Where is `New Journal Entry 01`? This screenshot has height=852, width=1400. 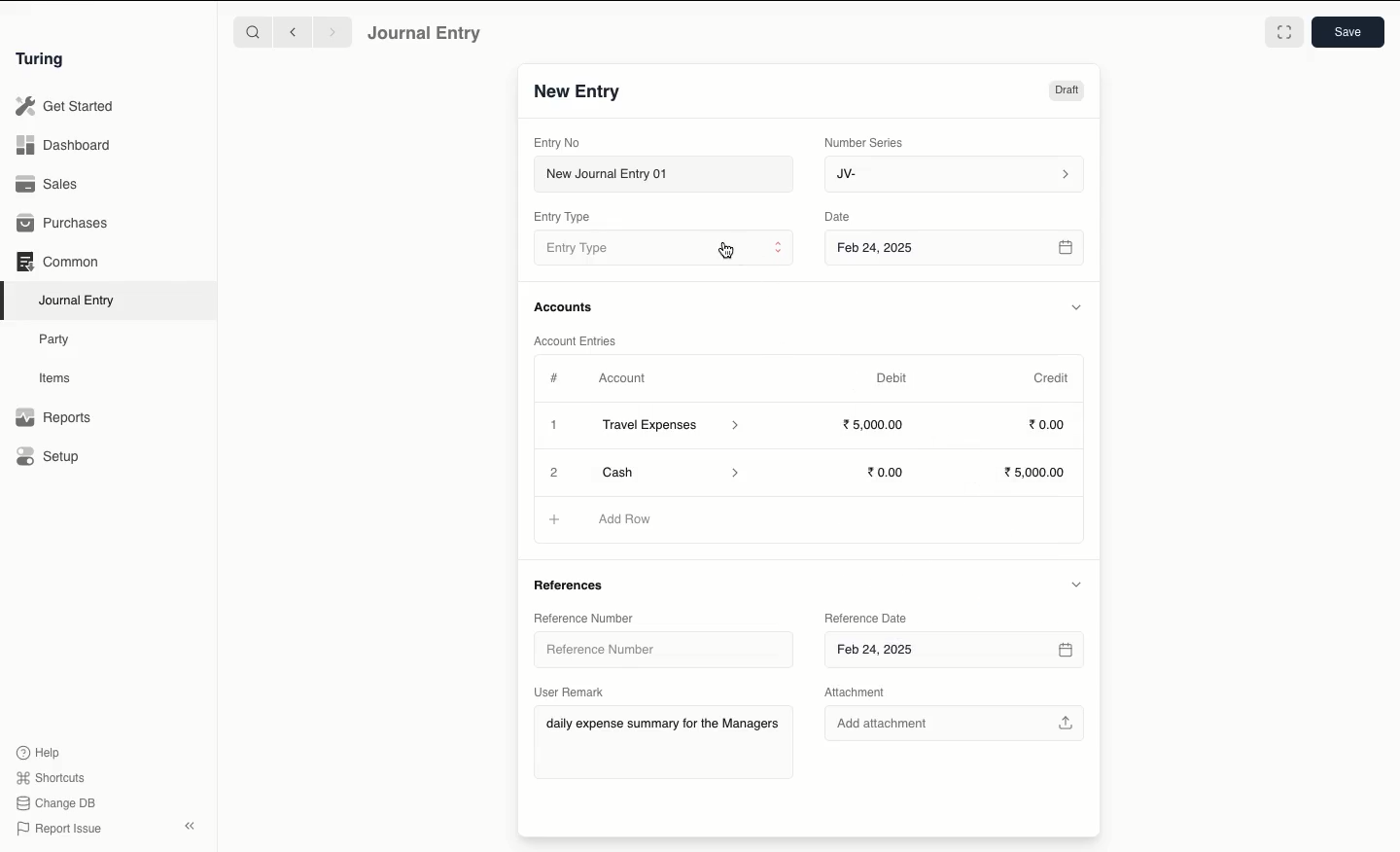
New Journal Entry 01 is located at coordinates (662, 173).